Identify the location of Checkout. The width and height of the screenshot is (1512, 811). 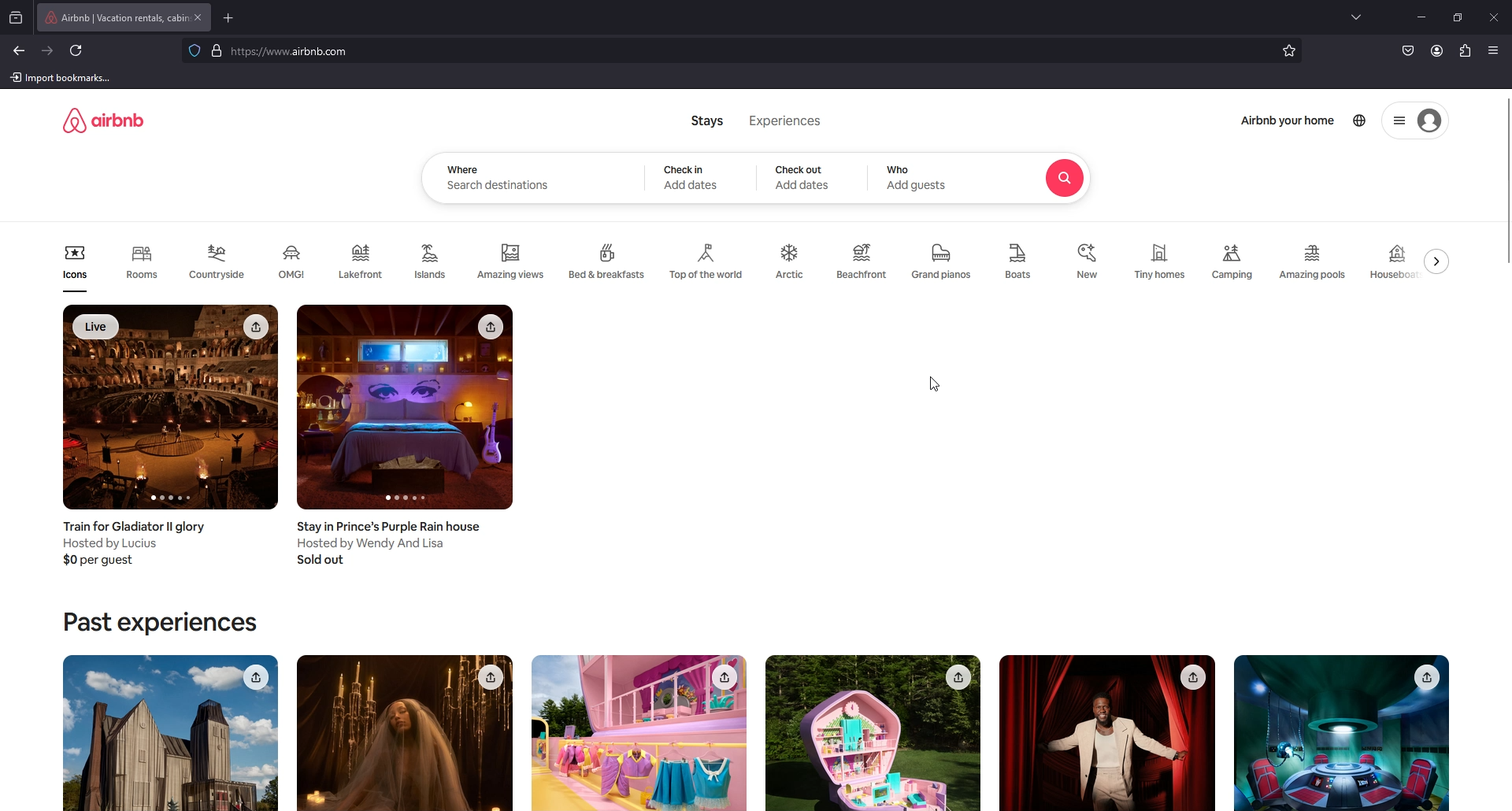
(800, 169).